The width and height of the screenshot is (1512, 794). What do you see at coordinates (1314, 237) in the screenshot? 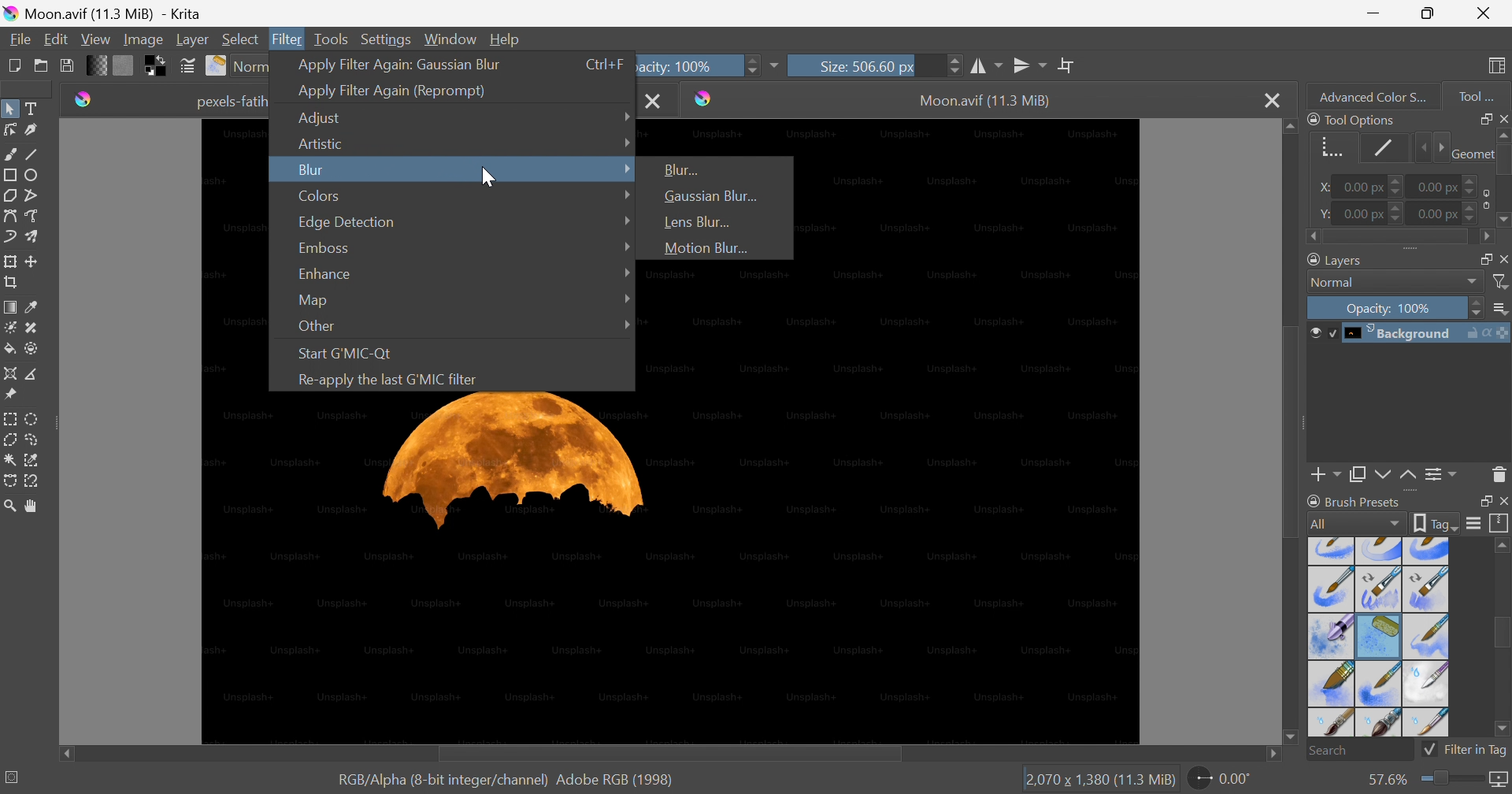
I see `Scroll left` at bounding box center [1314, 237].